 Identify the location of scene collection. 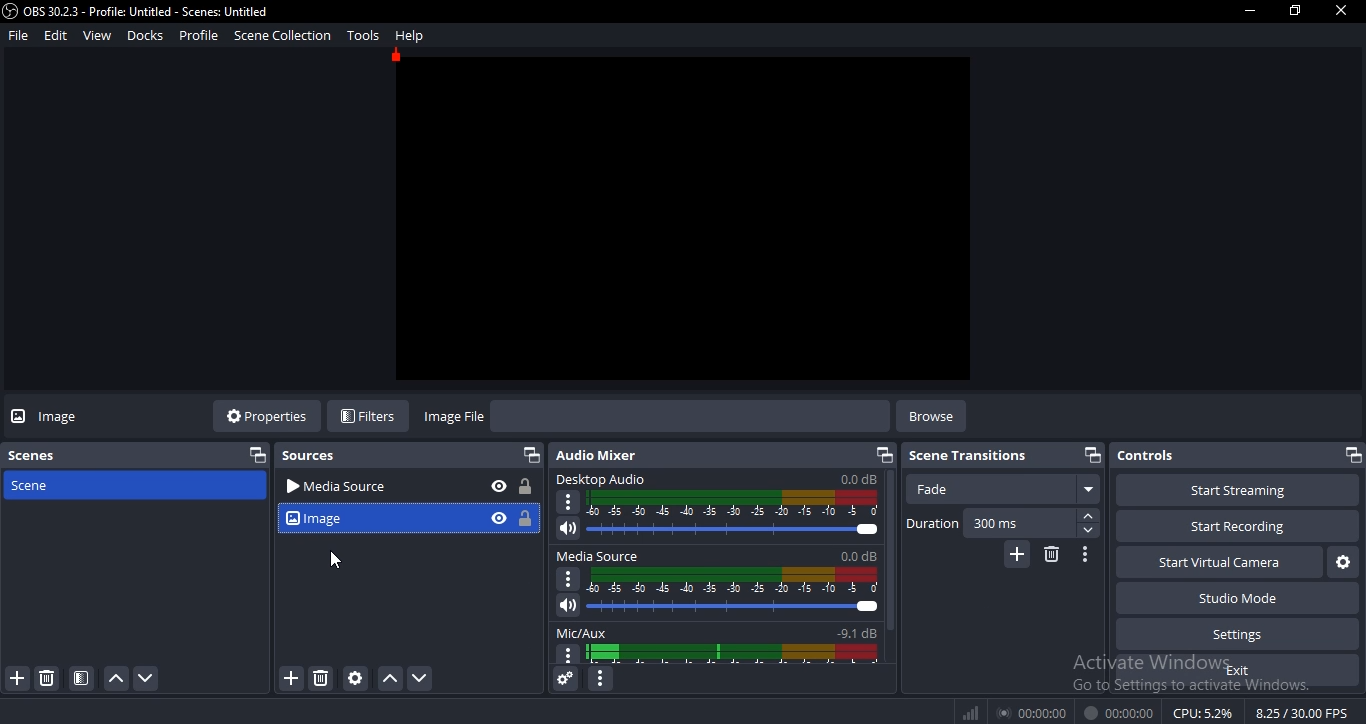
(281, 35).